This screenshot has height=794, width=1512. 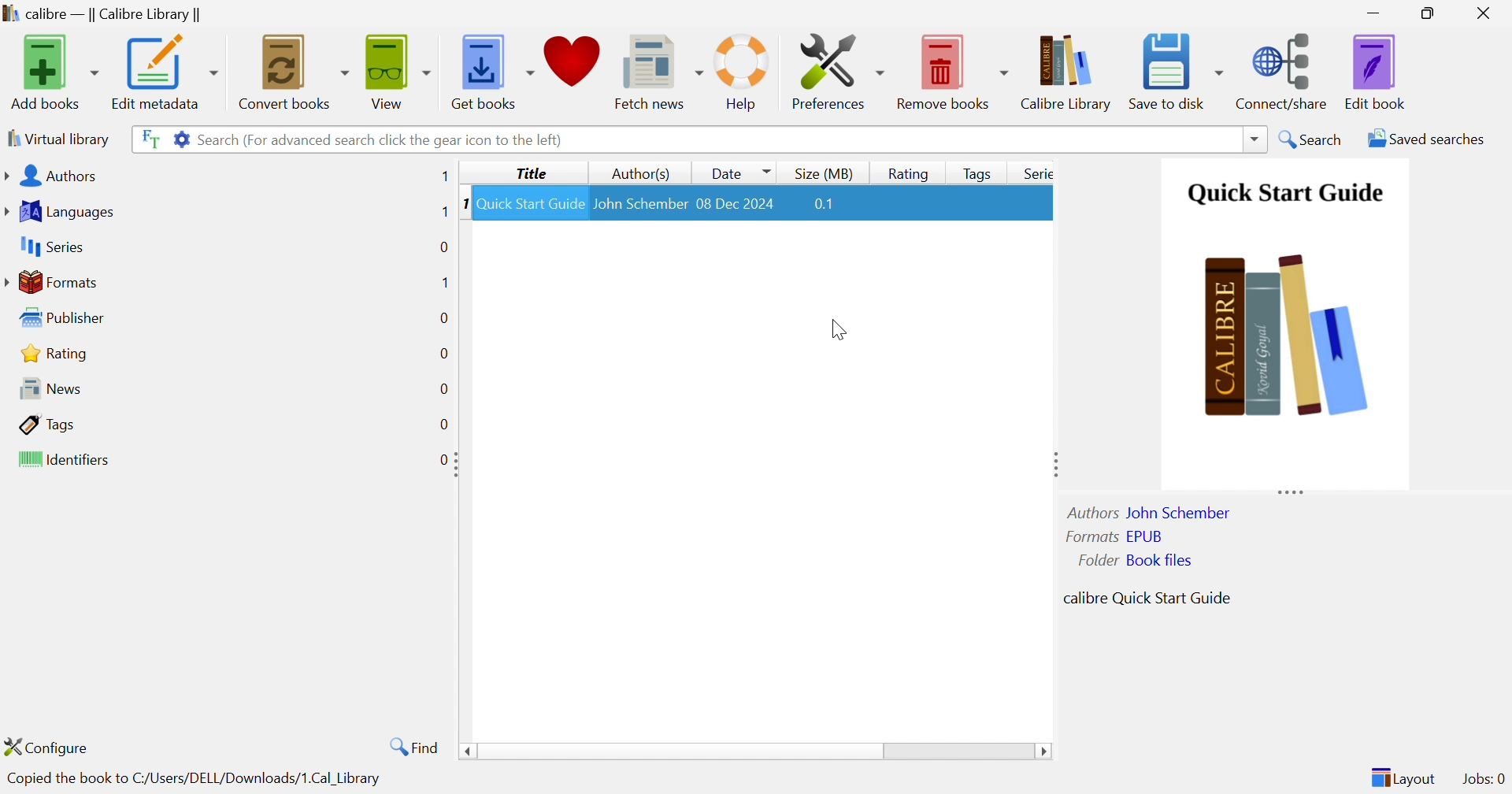 I want to click on 08 Dec 2024, so click(x=737, y=201).